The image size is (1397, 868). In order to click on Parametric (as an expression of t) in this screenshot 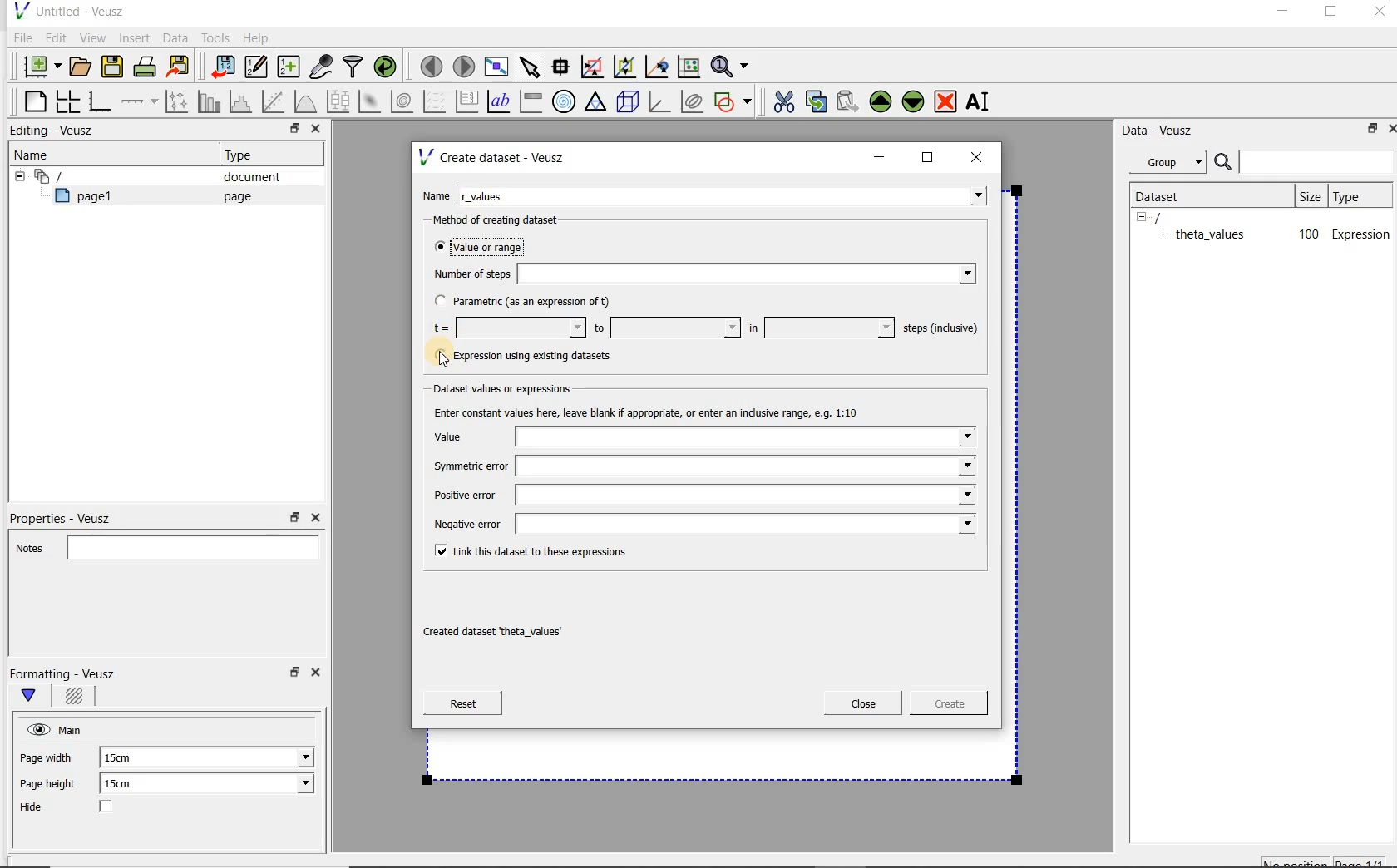, I will do `click(530, 302)`.